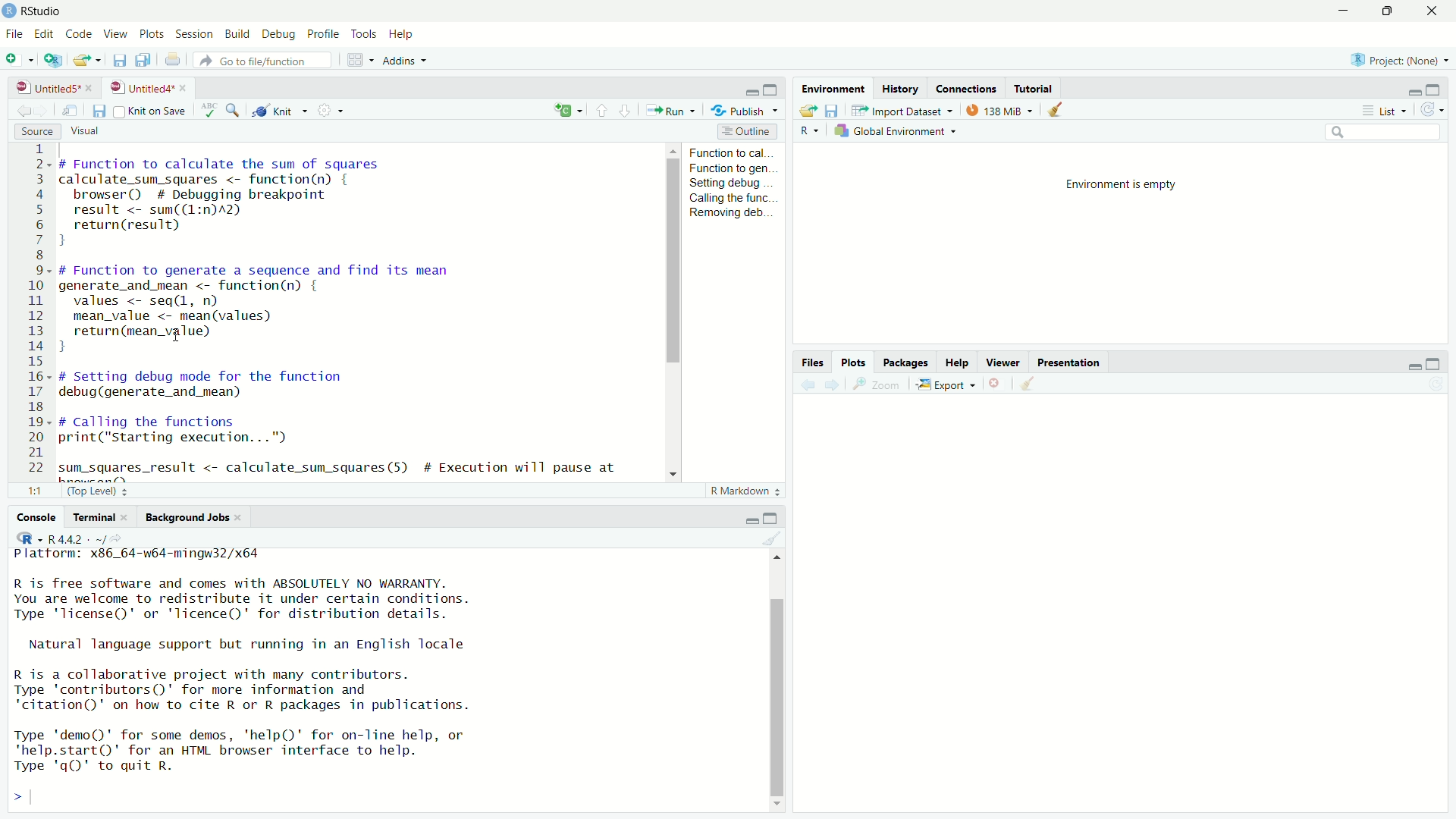  I want to click on RStudio, so click(45, 11).